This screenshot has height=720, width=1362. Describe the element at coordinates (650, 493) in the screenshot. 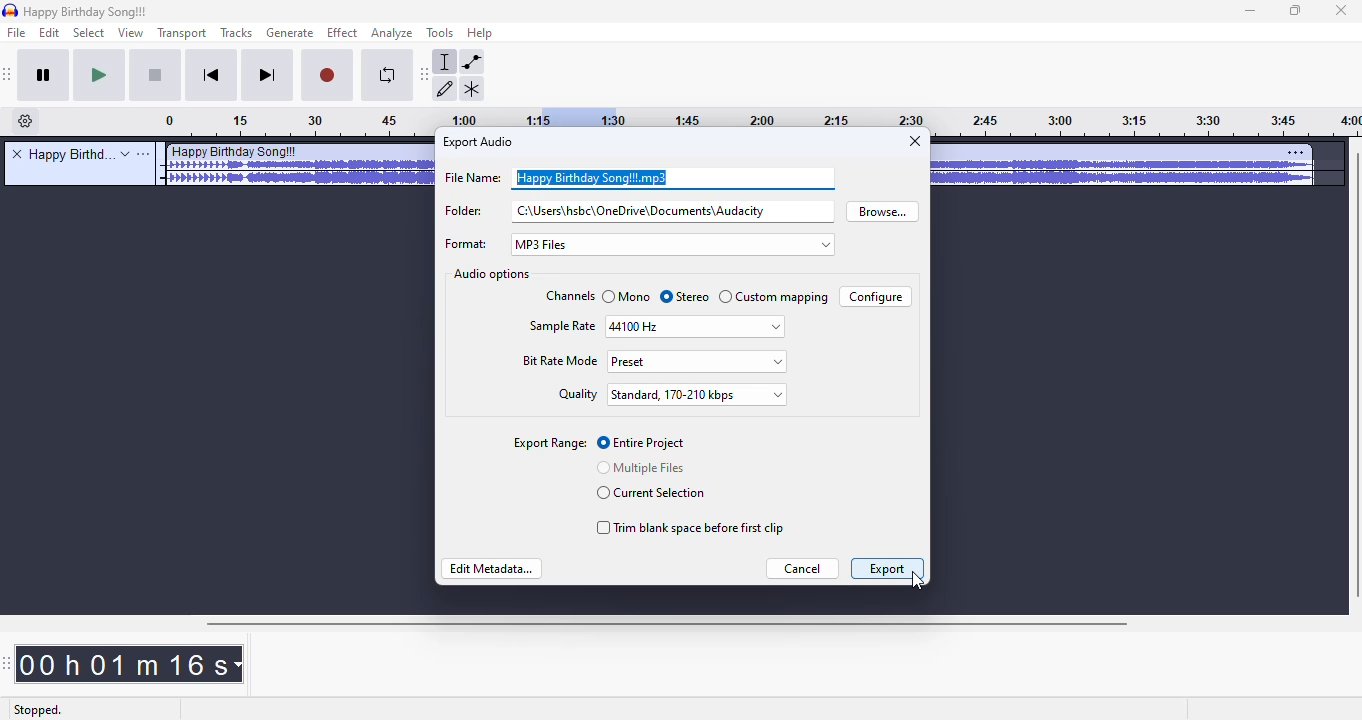

I see `current selection` at that location.